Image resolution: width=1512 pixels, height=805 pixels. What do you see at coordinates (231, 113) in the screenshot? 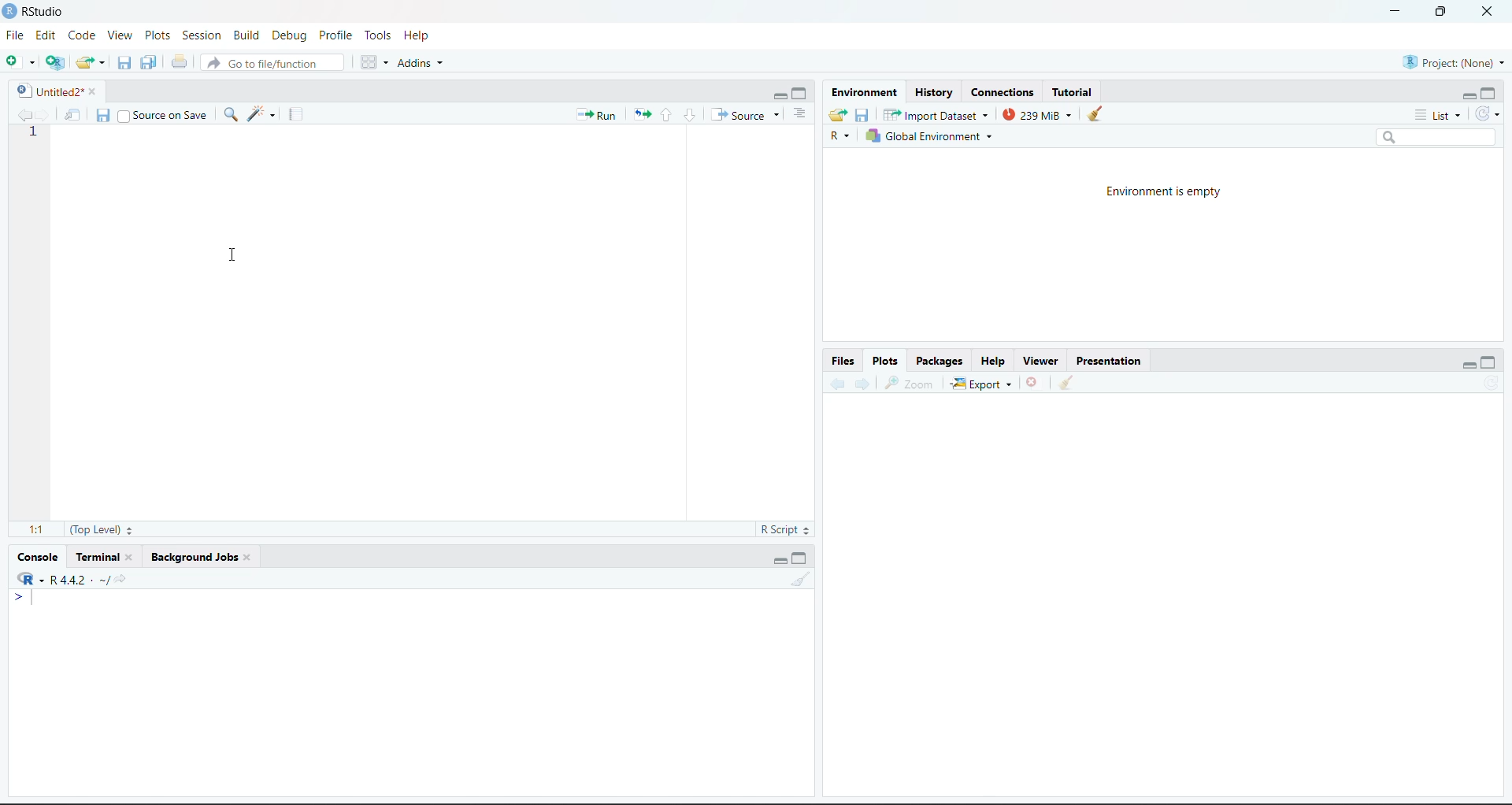
I see `Find/Replace` at bounding box center [231, 113].